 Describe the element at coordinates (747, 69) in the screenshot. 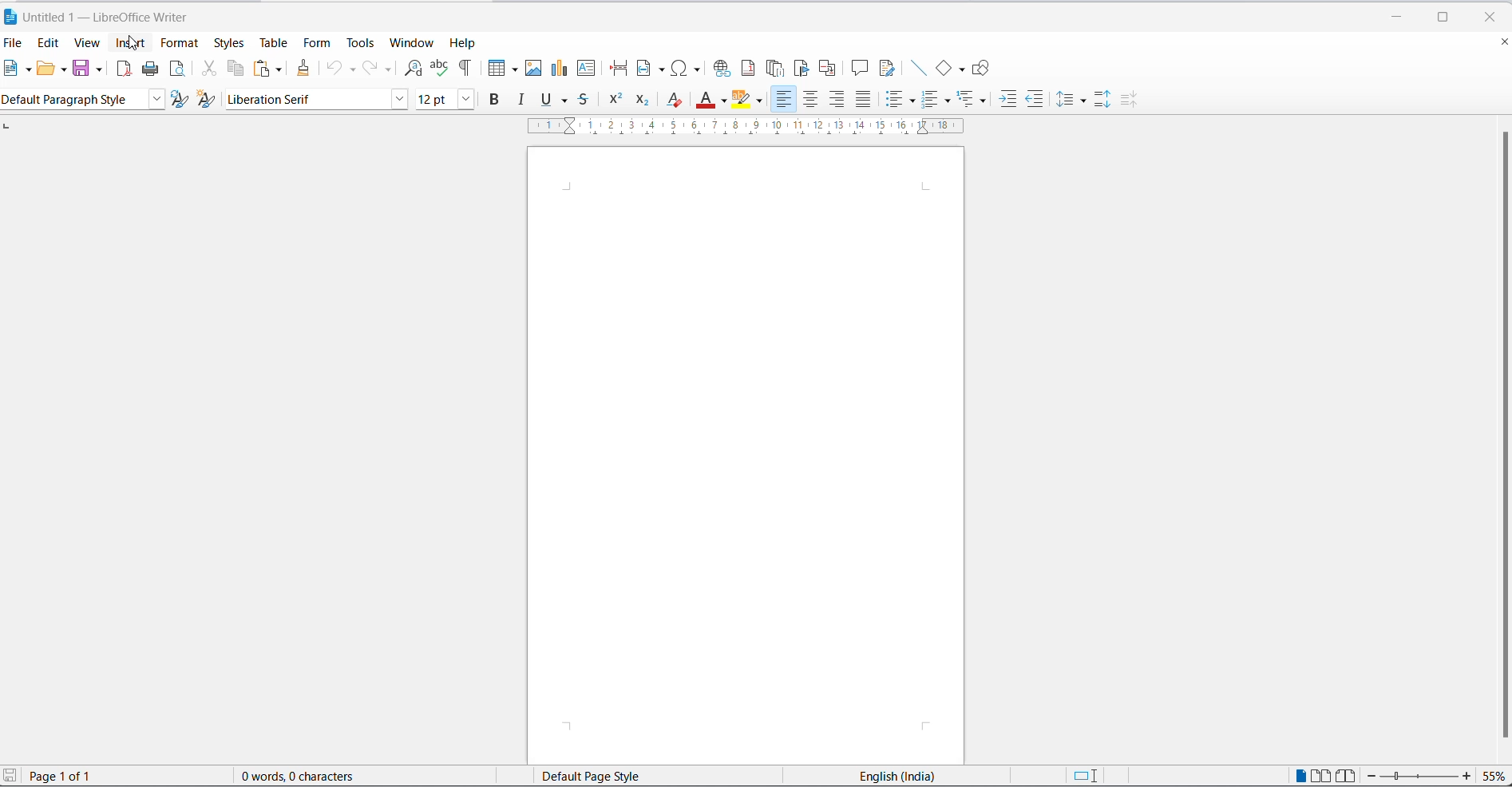

I see `insert footnote` at that location.